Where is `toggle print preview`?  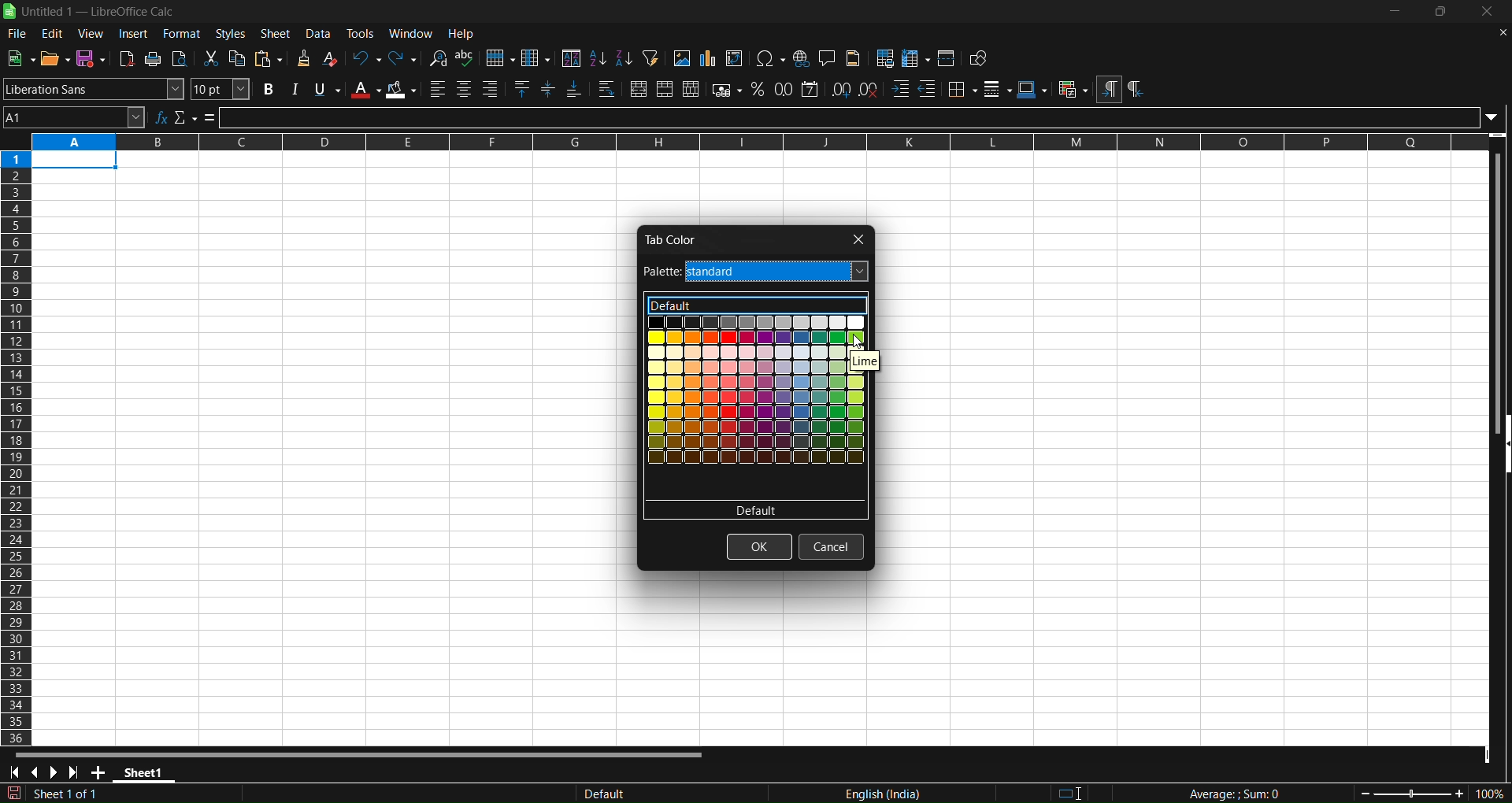 toggle print preview is located at coordinates (180, 59).